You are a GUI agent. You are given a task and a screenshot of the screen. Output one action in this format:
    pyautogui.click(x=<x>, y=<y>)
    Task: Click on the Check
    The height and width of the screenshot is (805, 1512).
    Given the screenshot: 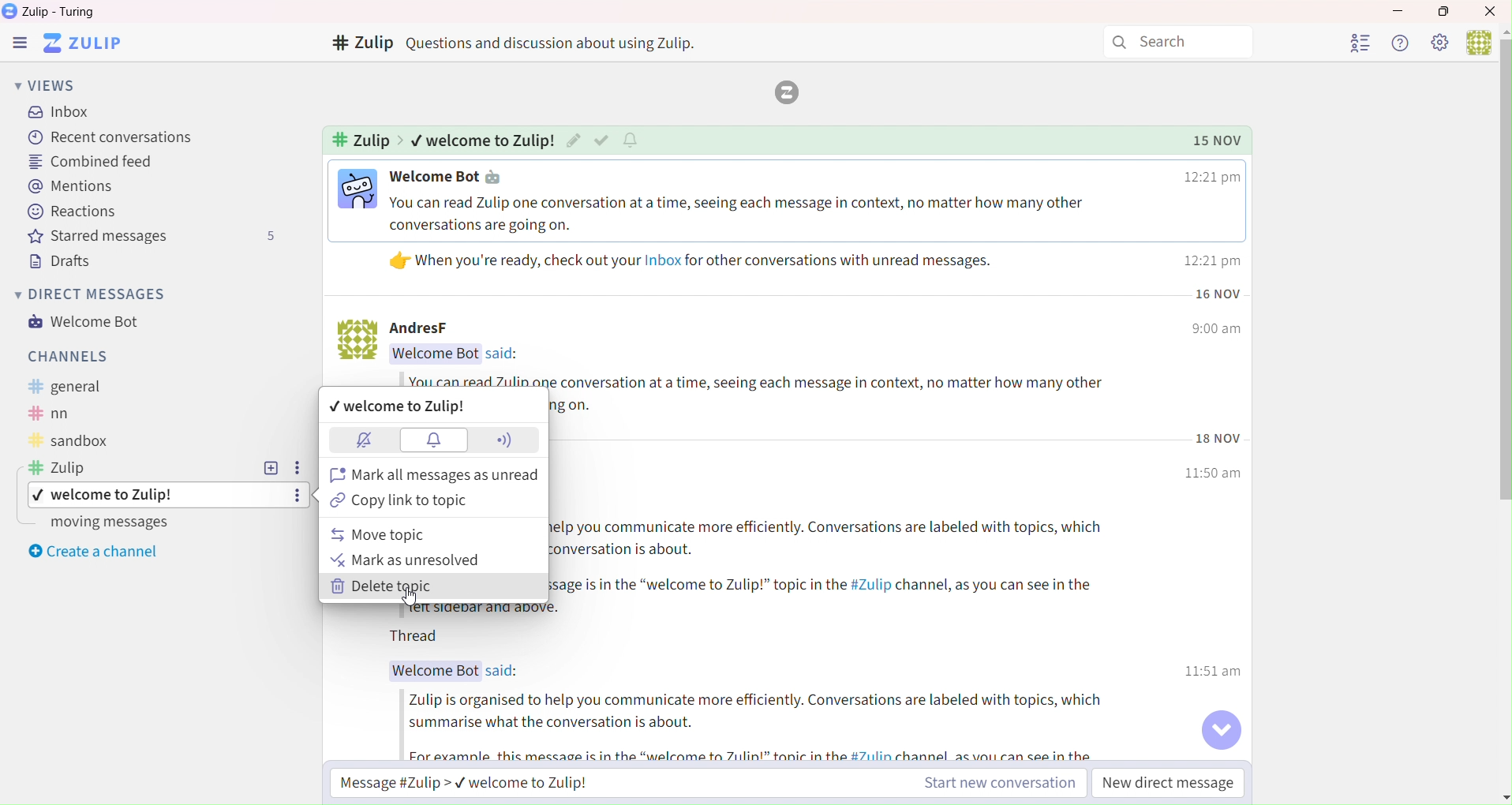 What is the action you would take?
    pyautogui.click(x=601, y=140)
    